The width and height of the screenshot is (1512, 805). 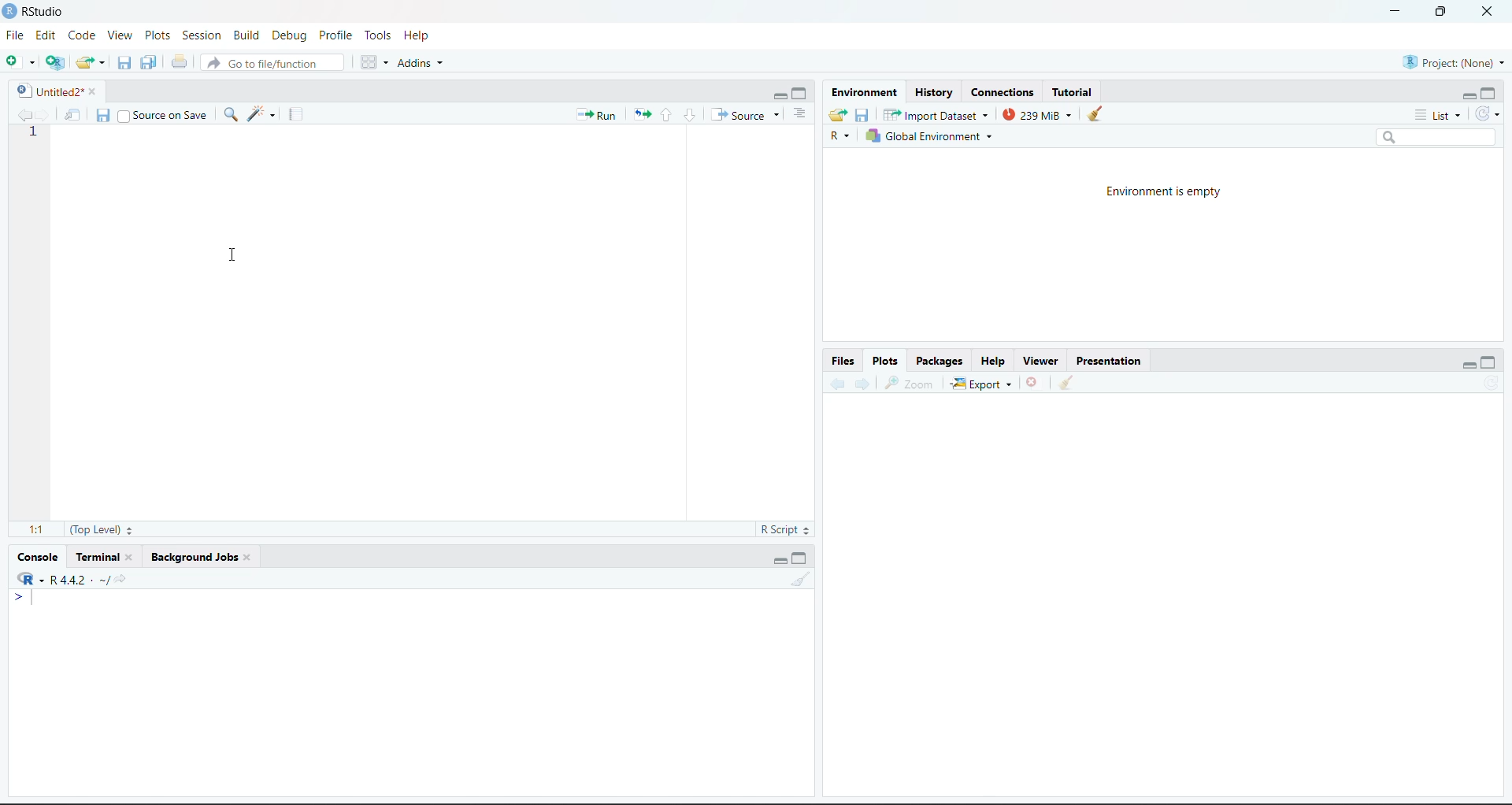 What do you see at coordinates (1468, 365) in the screenshot?
I see `Minimize` at bounding box center [1468, 365].